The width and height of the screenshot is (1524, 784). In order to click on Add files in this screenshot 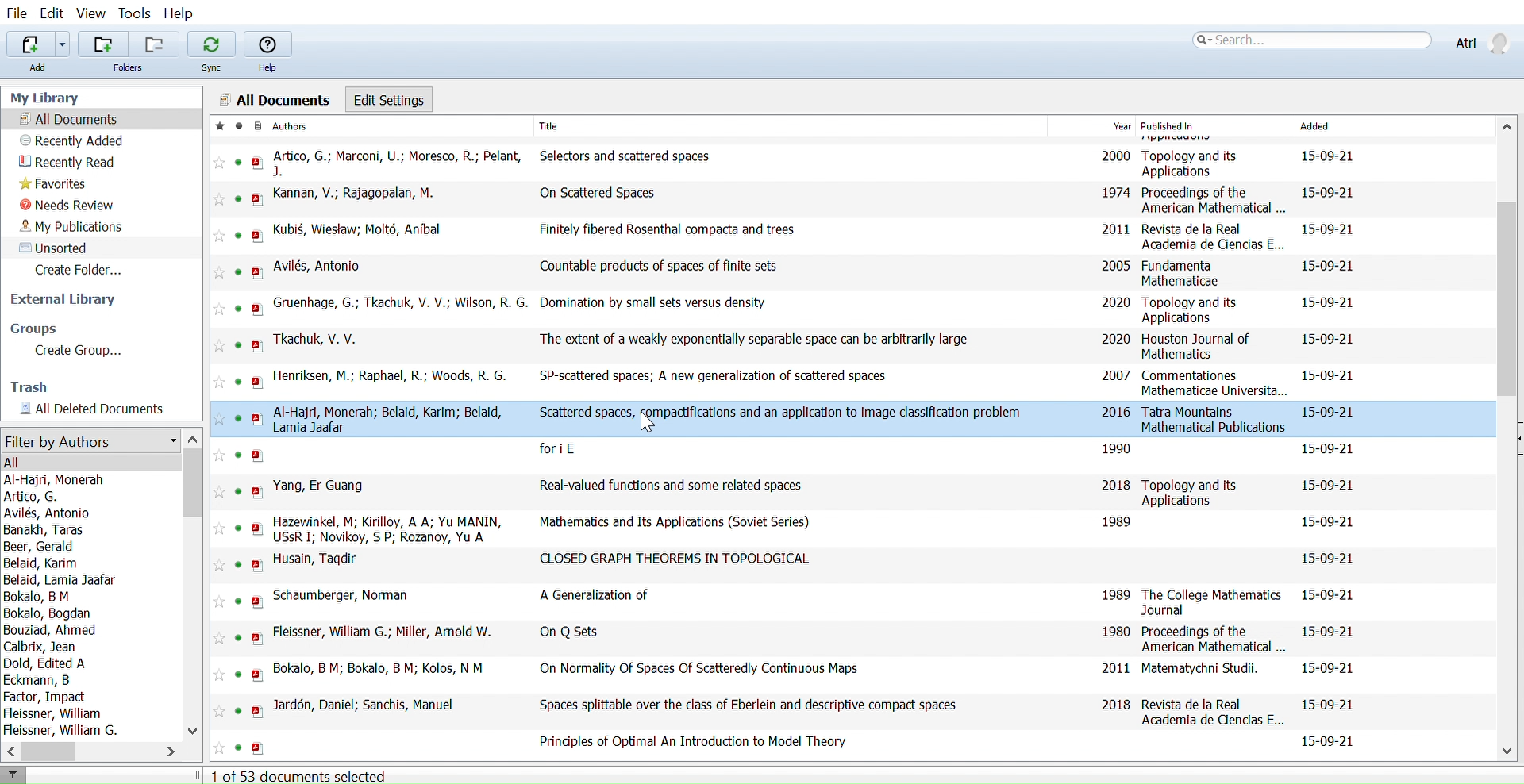, I will do `click(29, 44)`.